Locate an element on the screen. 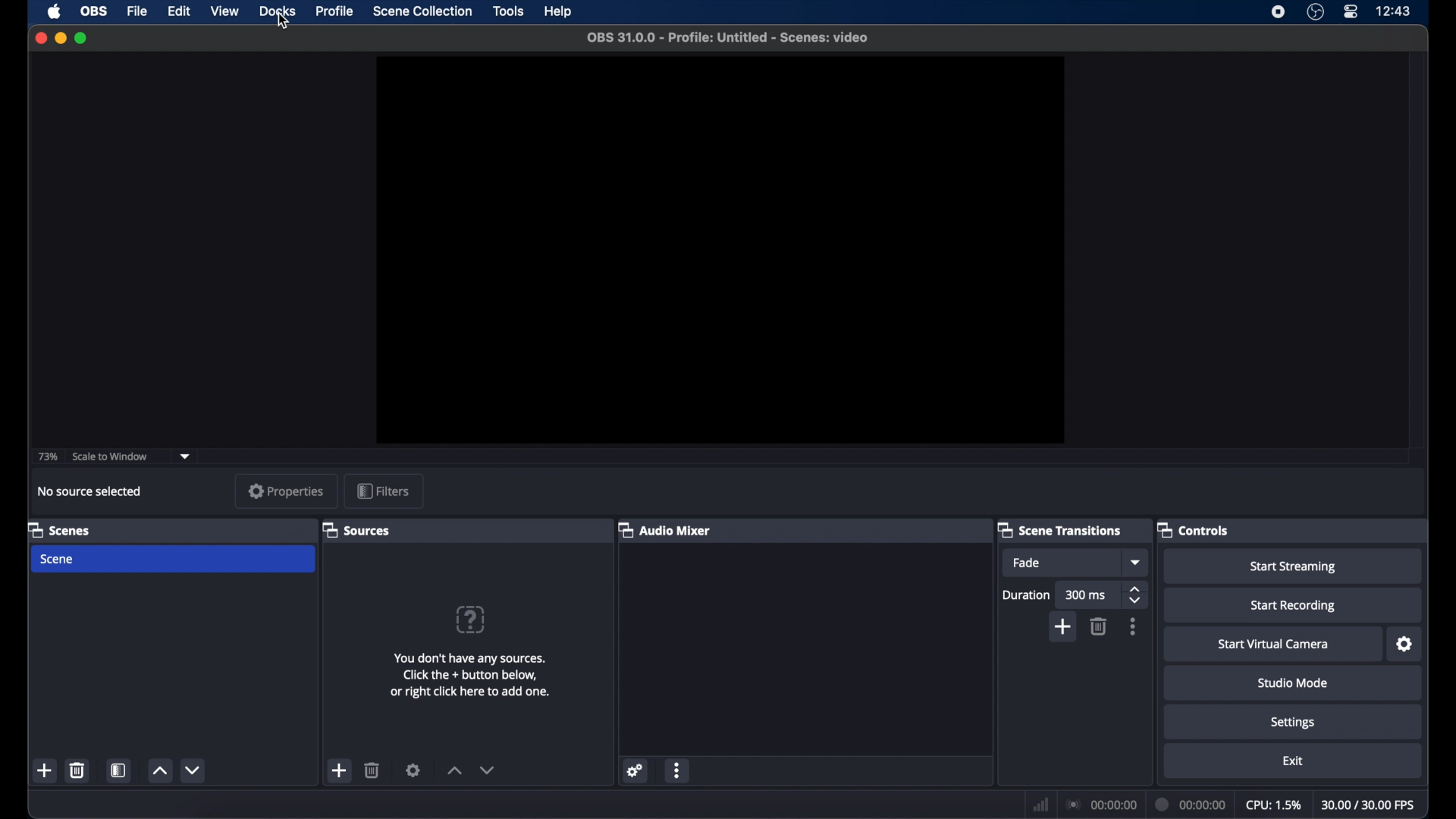 The image size is (1456, 819). delete is located at coordinates (374, 770).